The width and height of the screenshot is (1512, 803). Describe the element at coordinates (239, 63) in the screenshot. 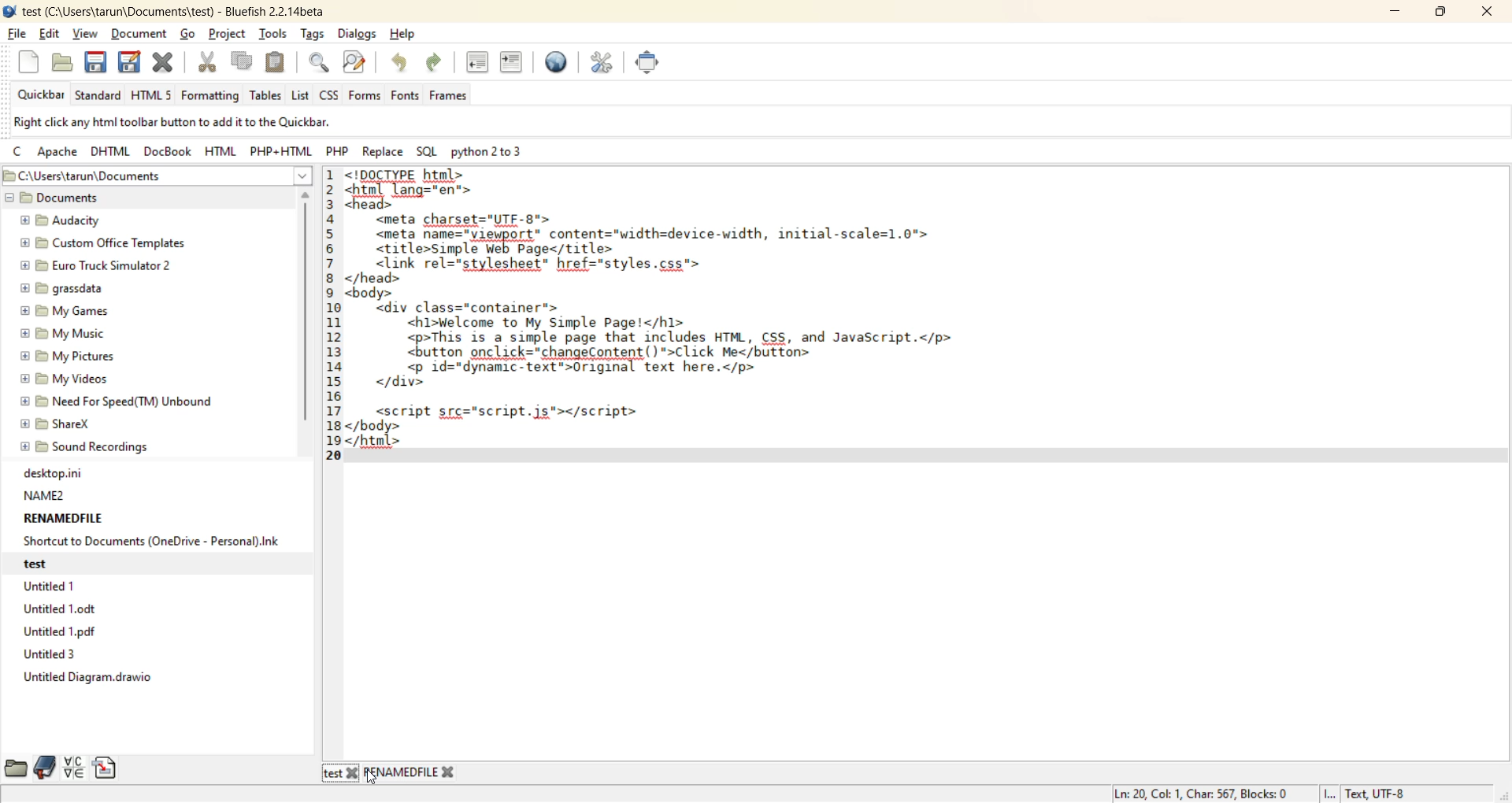

I see `copy` at that location.